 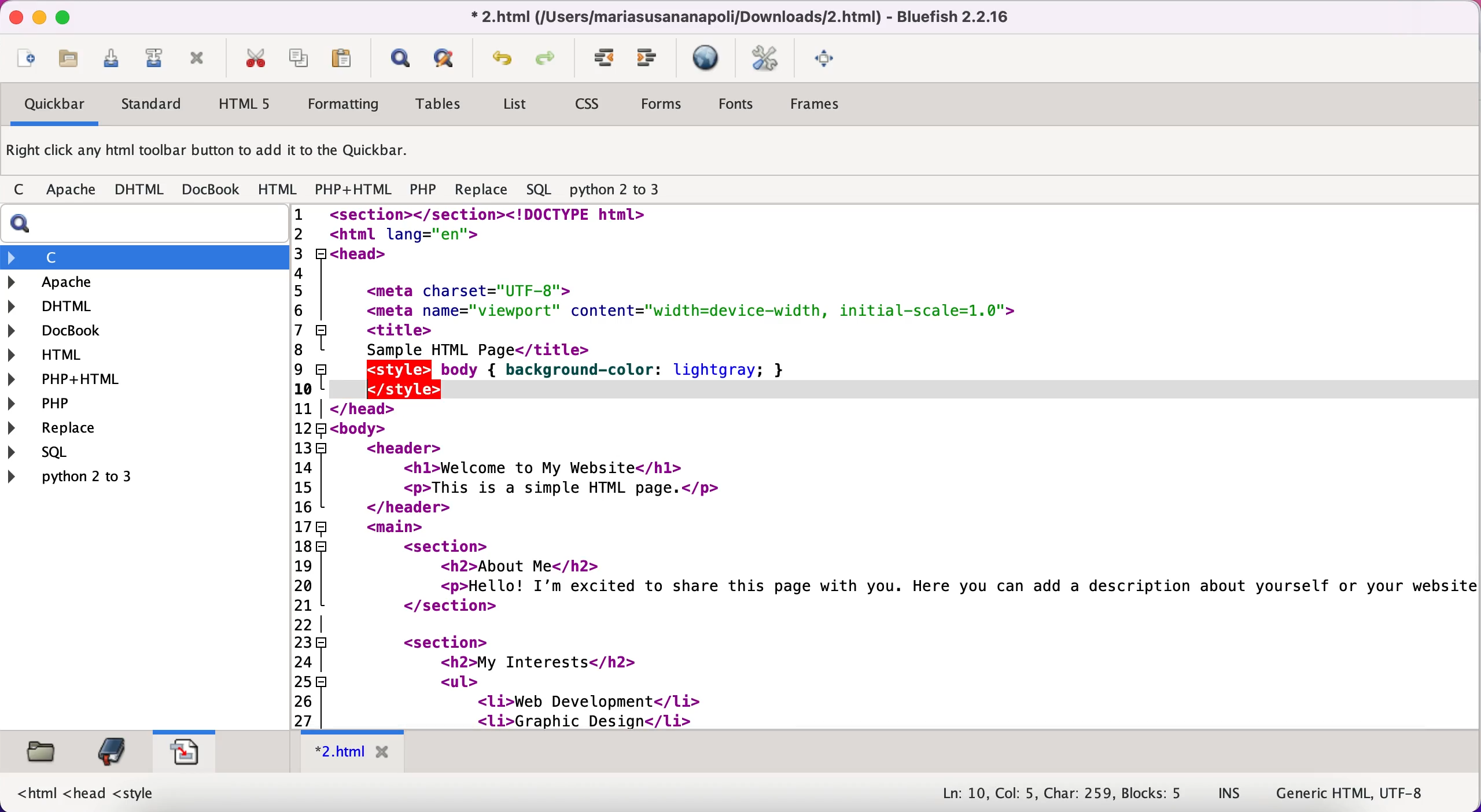 I want to click on css, so click(x=589, y=105).